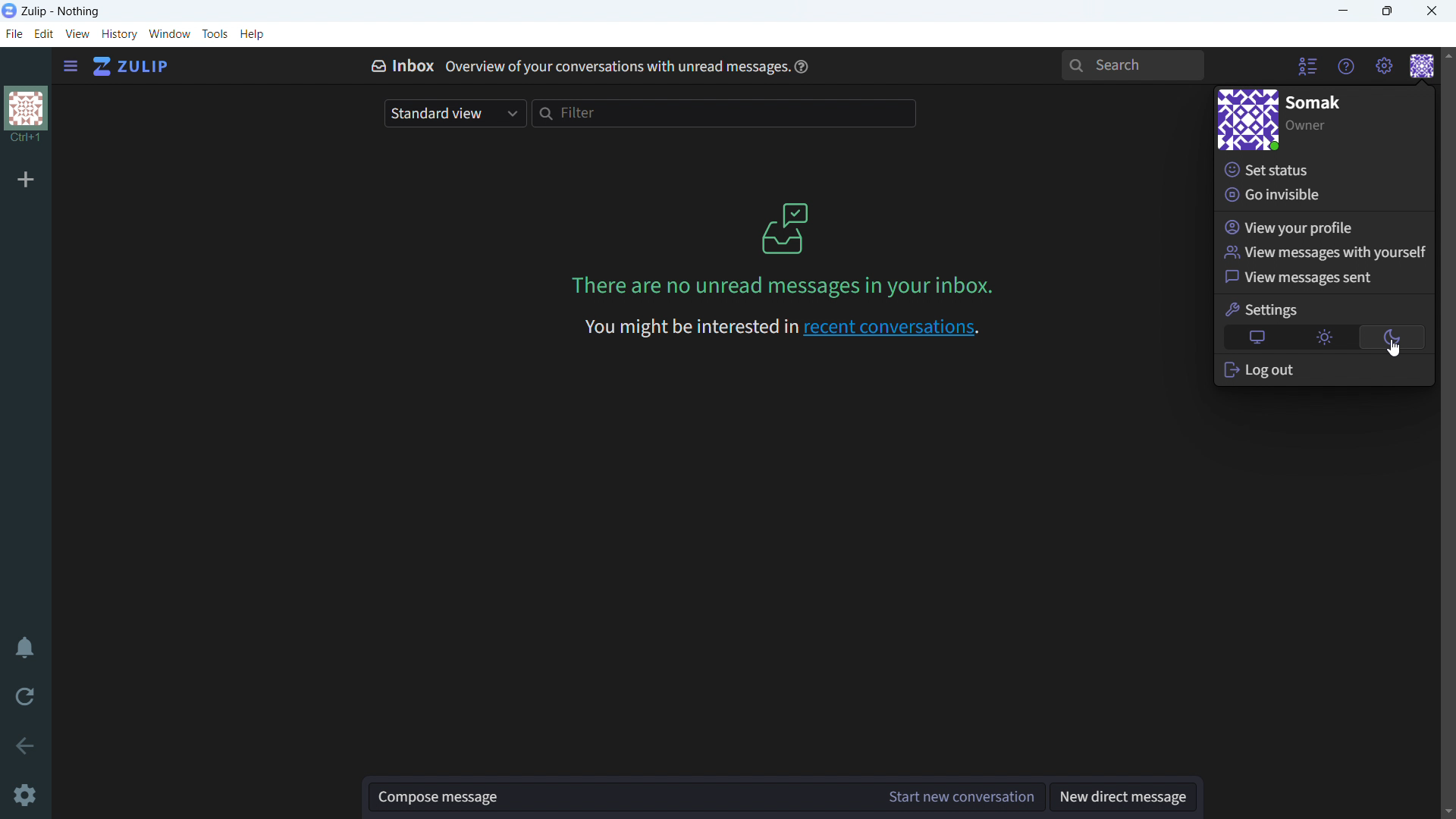  I want to click on new direct message, so click(1122, 798).